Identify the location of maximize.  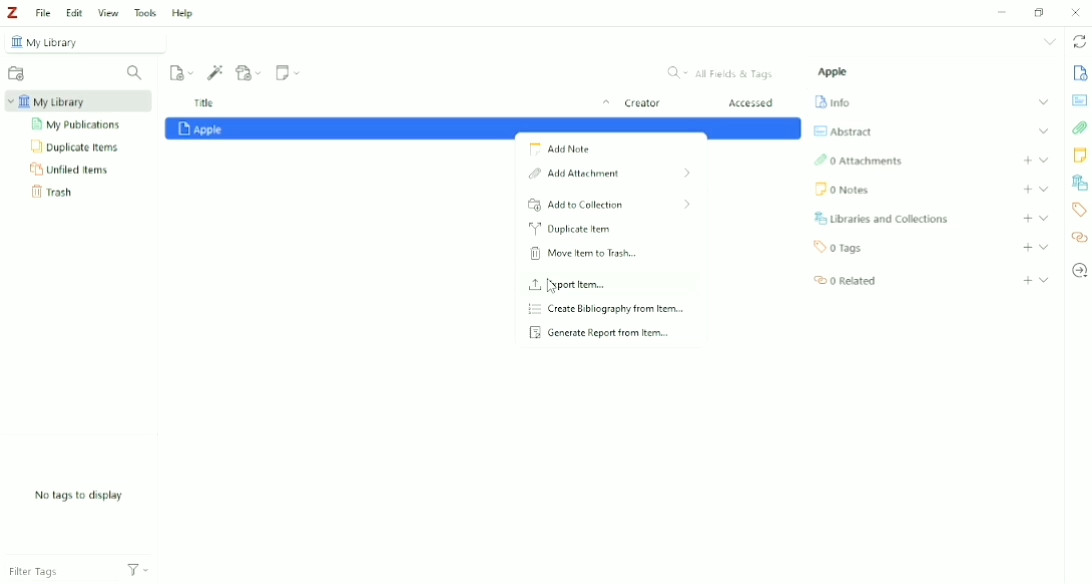
(1039, 12).